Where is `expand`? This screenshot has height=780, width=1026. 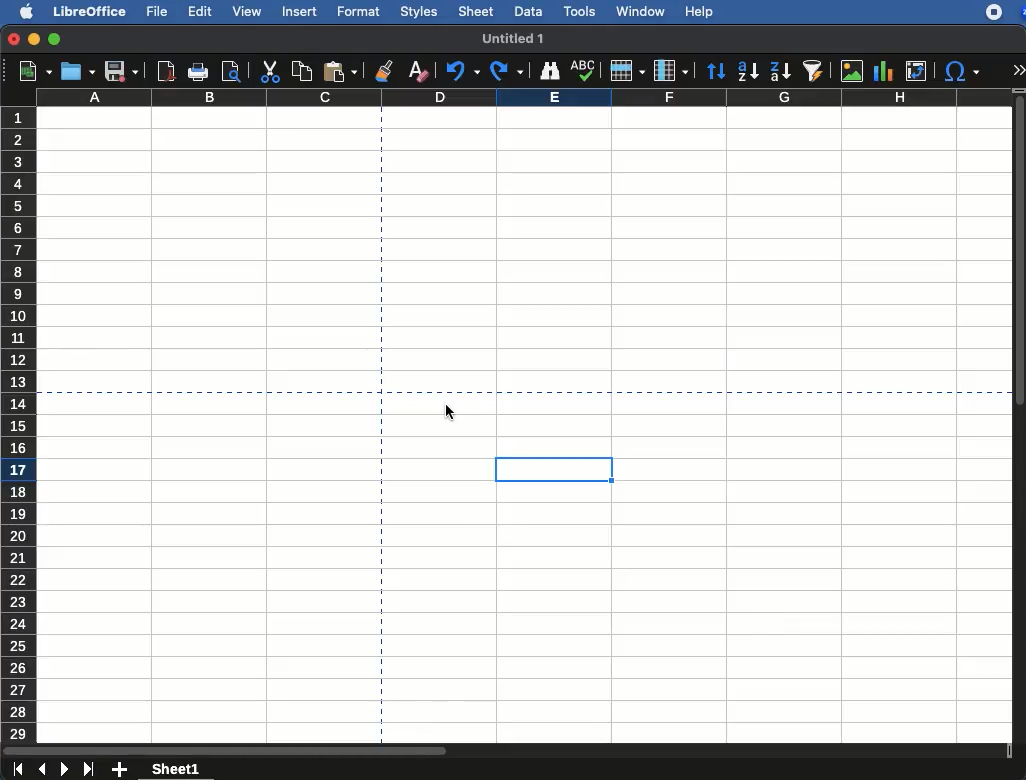 expand is located at coordinates (1020, 69).